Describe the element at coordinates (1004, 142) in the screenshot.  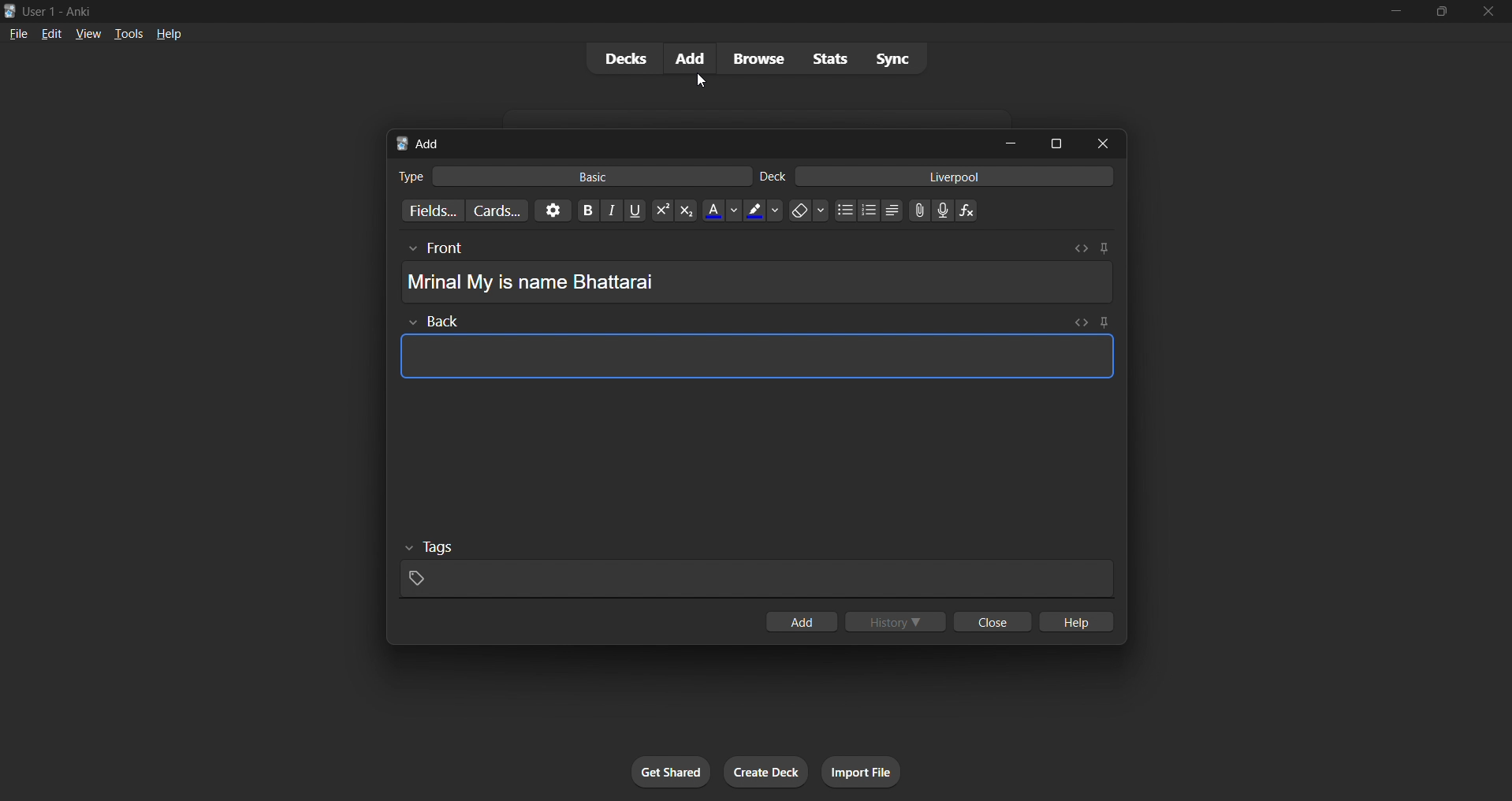
I see `minimize` at that location.